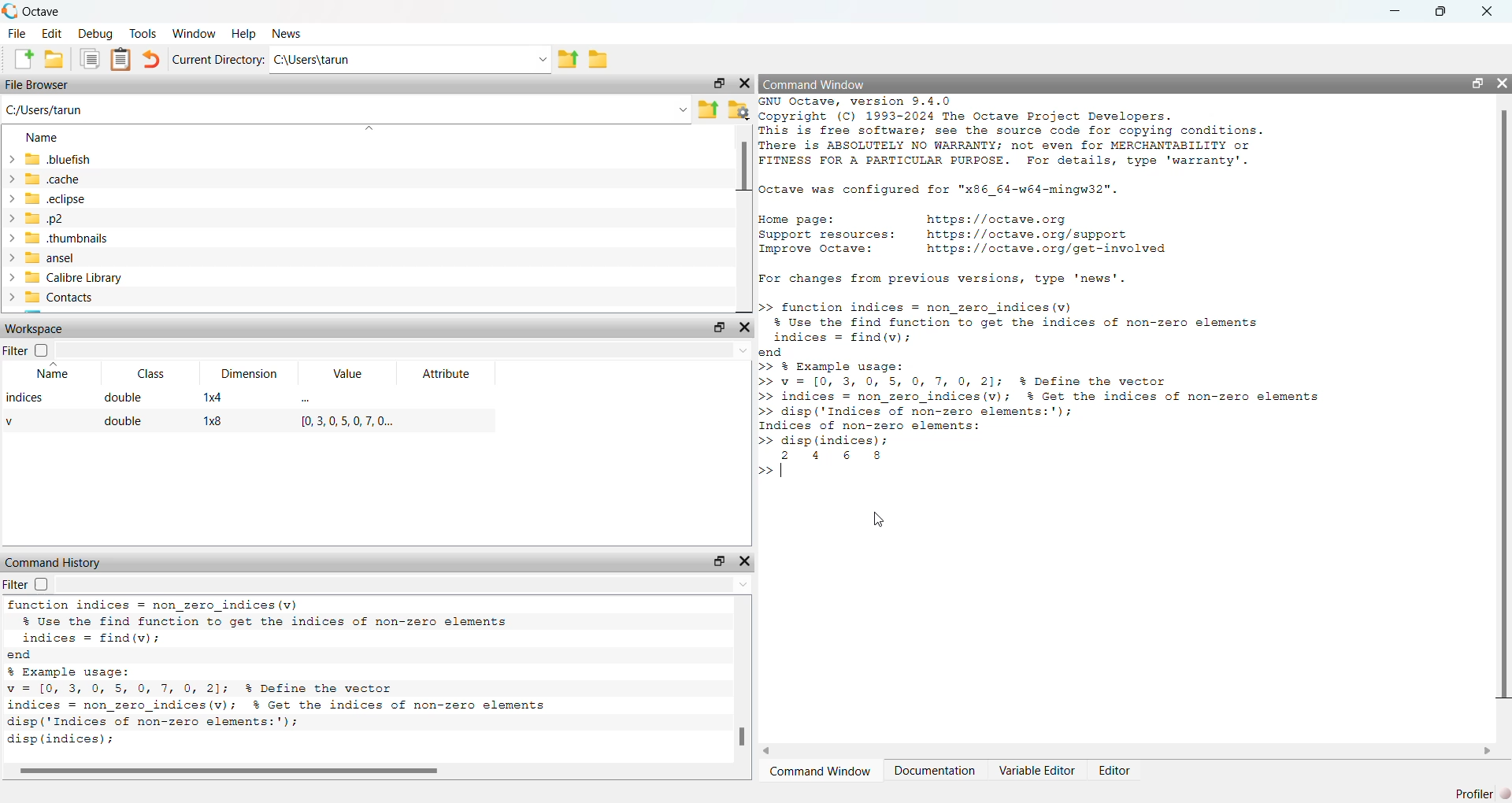 The image size is (1512, 803). What do you see at coordinates (65, 240) in the screenshot?
I see `thumbnails` at bounding box center [65, 240].